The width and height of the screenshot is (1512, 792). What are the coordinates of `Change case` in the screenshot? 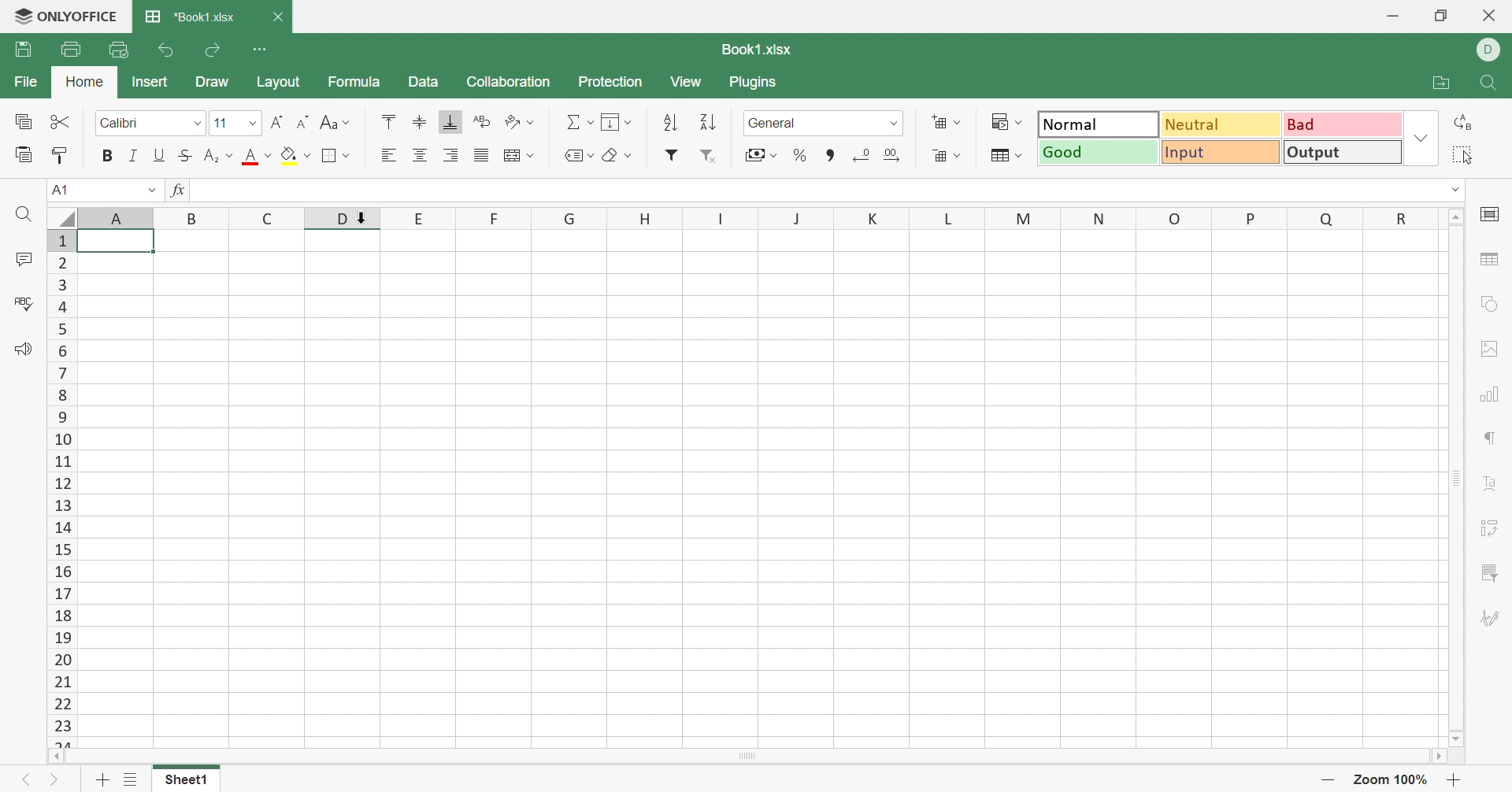 It's located at (328, 120).